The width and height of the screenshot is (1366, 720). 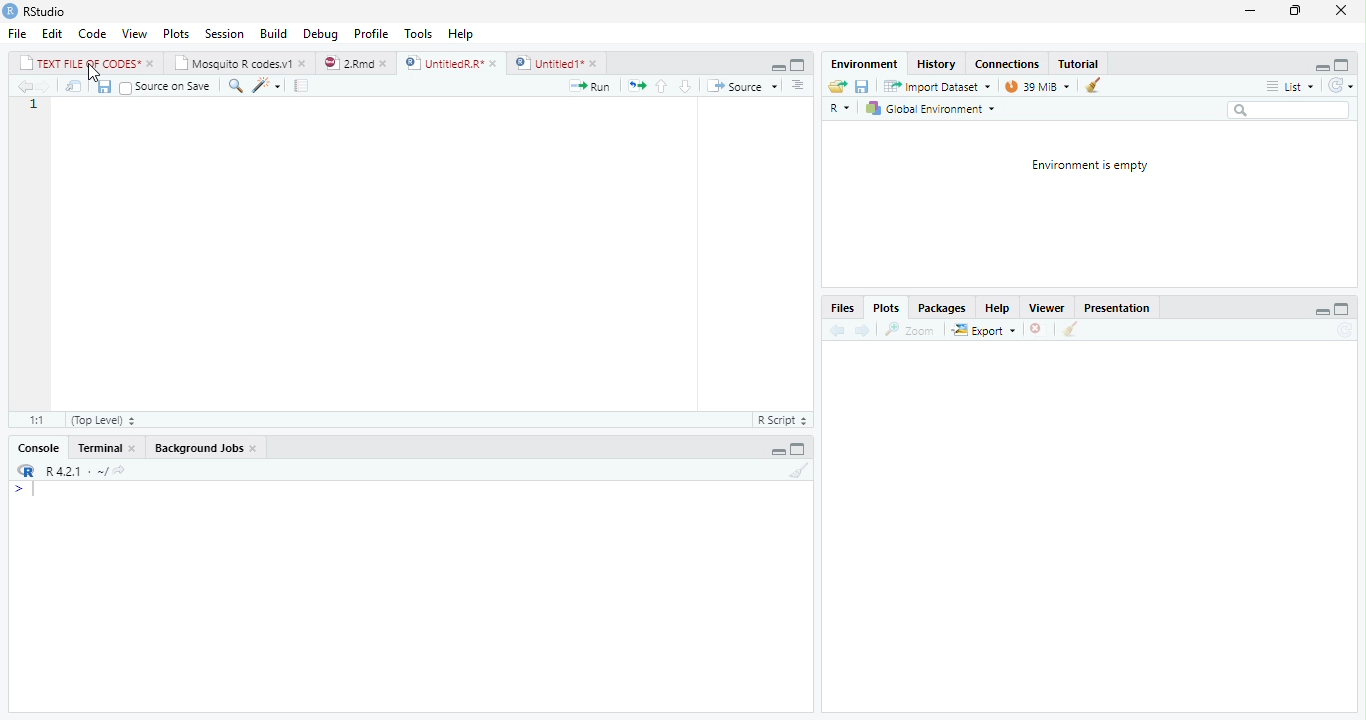 What do you see at coordinates (1071, 330) in the screenshot?
I see `Clean` at bounding box center [1071, 330].